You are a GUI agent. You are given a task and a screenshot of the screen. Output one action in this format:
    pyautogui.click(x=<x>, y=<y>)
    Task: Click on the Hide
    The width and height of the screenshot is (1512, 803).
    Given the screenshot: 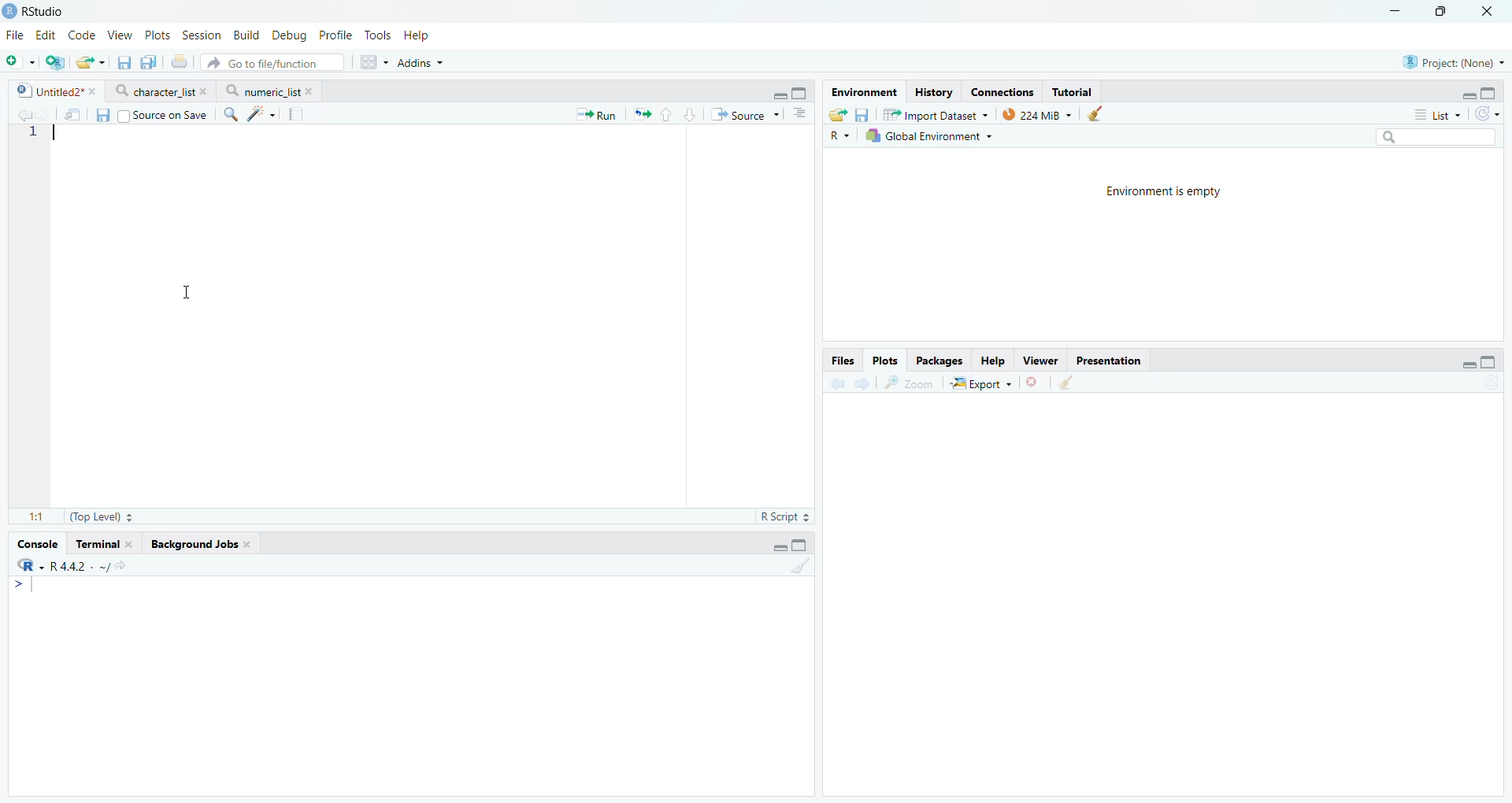 What is the action you would take?
    pyautogui.click(x=1467, y=94)
    